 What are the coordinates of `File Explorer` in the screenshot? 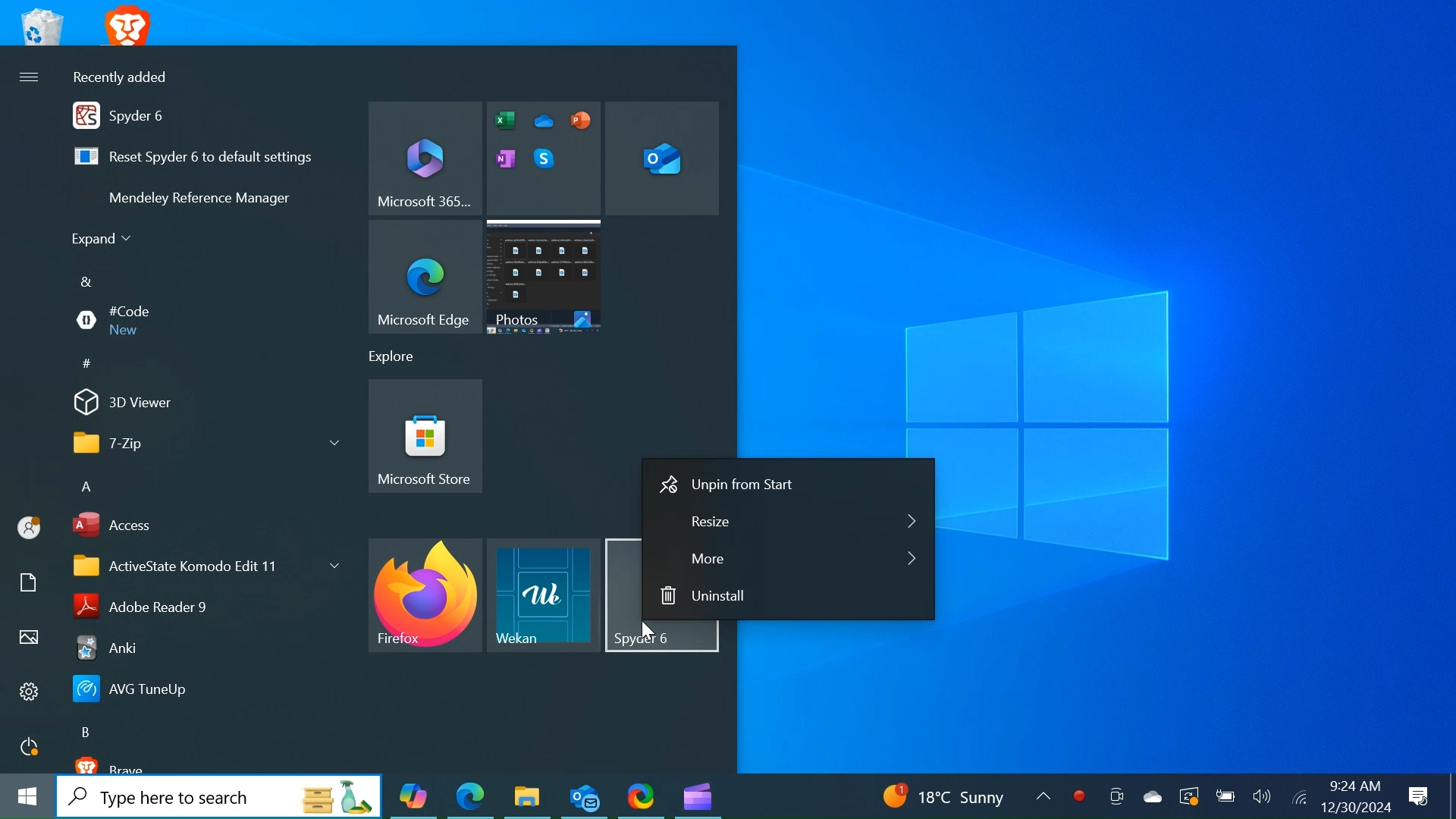 It's located at (527, 795).